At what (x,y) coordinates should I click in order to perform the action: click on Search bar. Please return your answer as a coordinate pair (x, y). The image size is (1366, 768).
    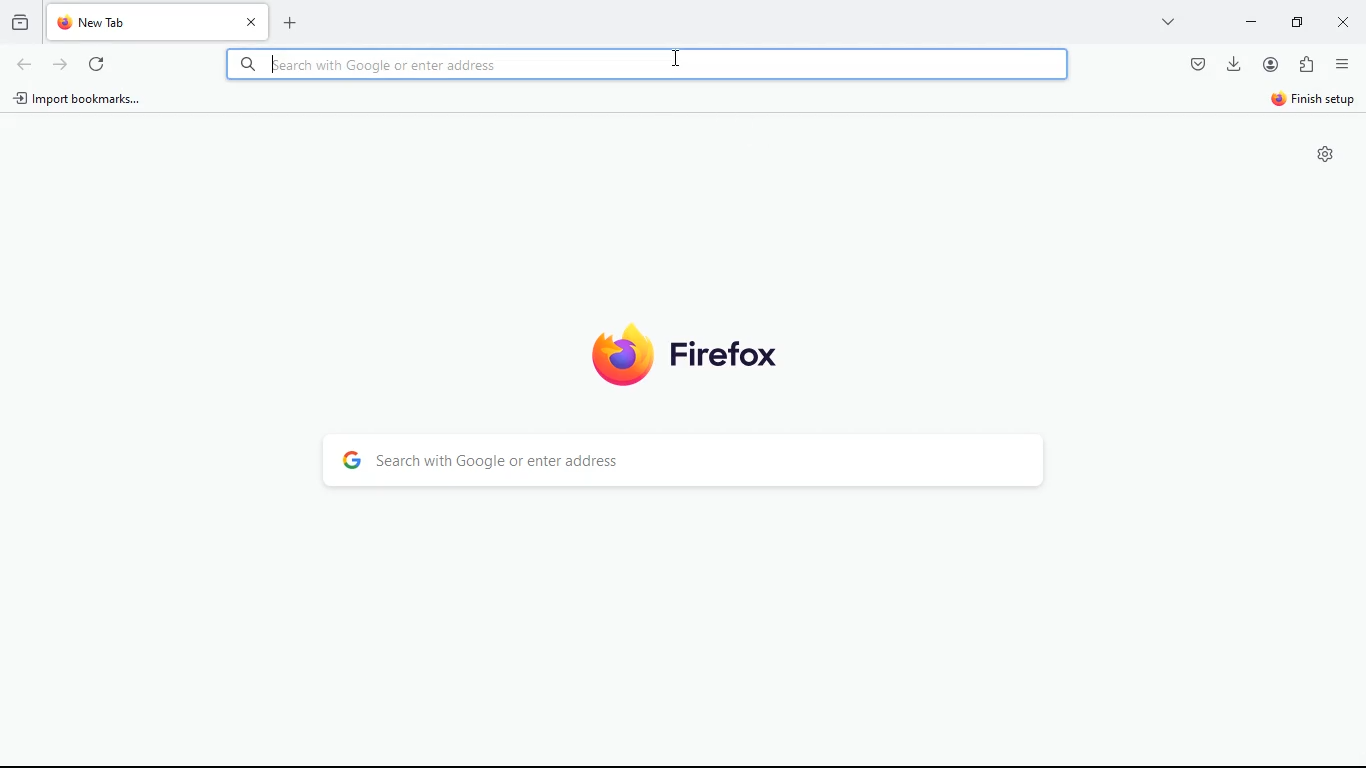
    Looking at the image, I should click on (648, 64).